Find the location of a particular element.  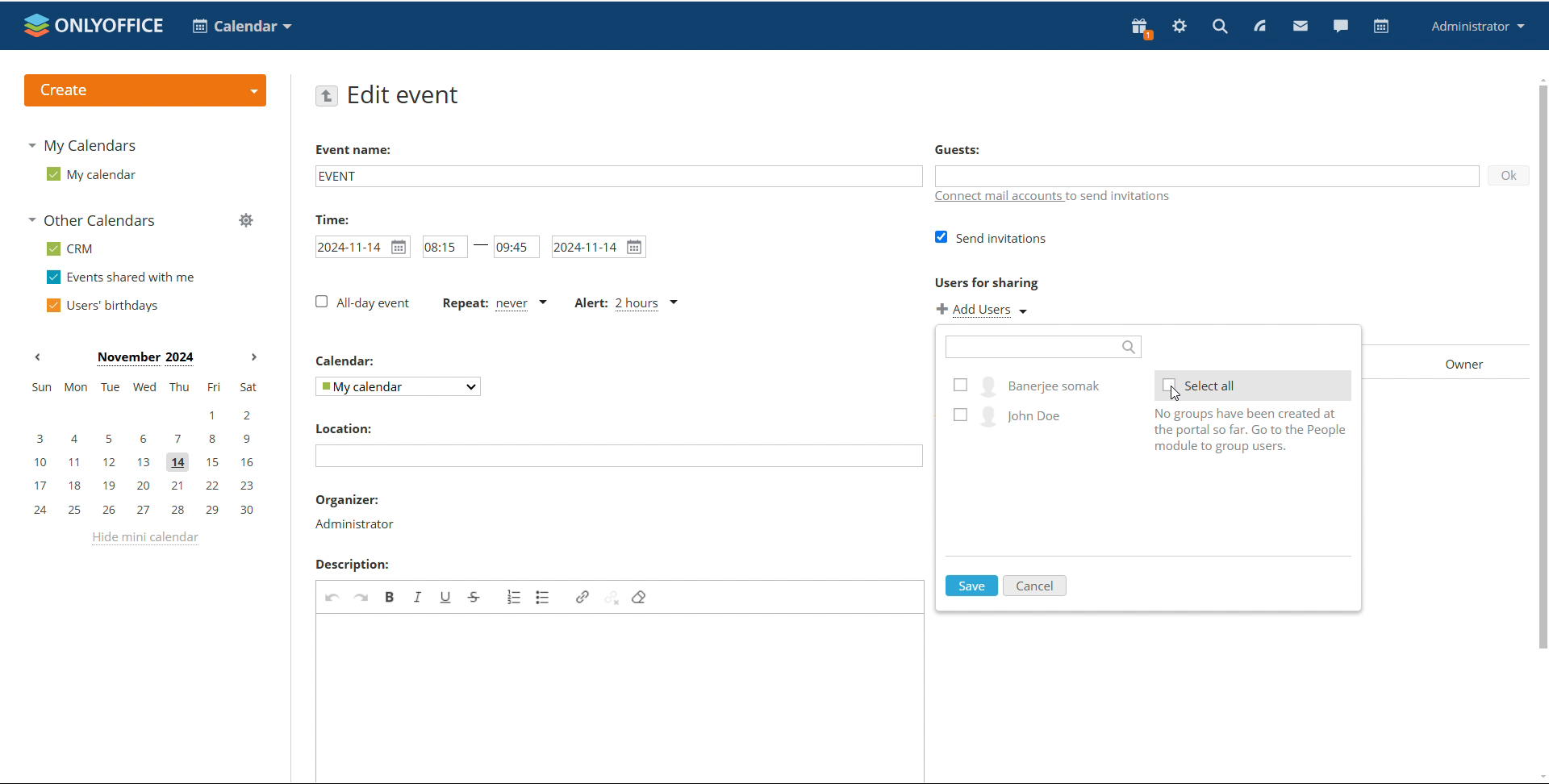

add users is located at coordinates (983, 311).